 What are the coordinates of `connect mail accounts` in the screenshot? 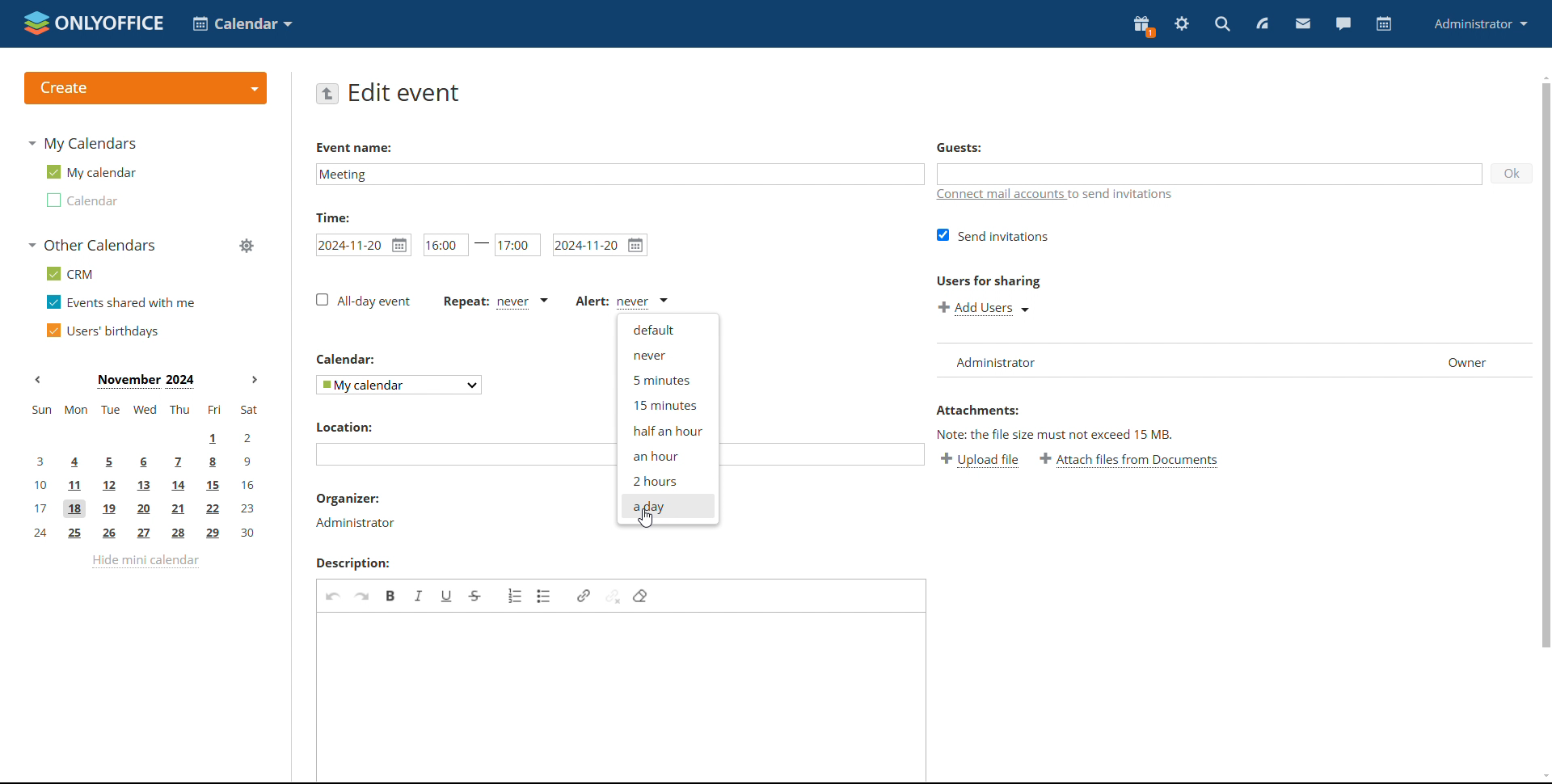 It's located at (1058, 196).